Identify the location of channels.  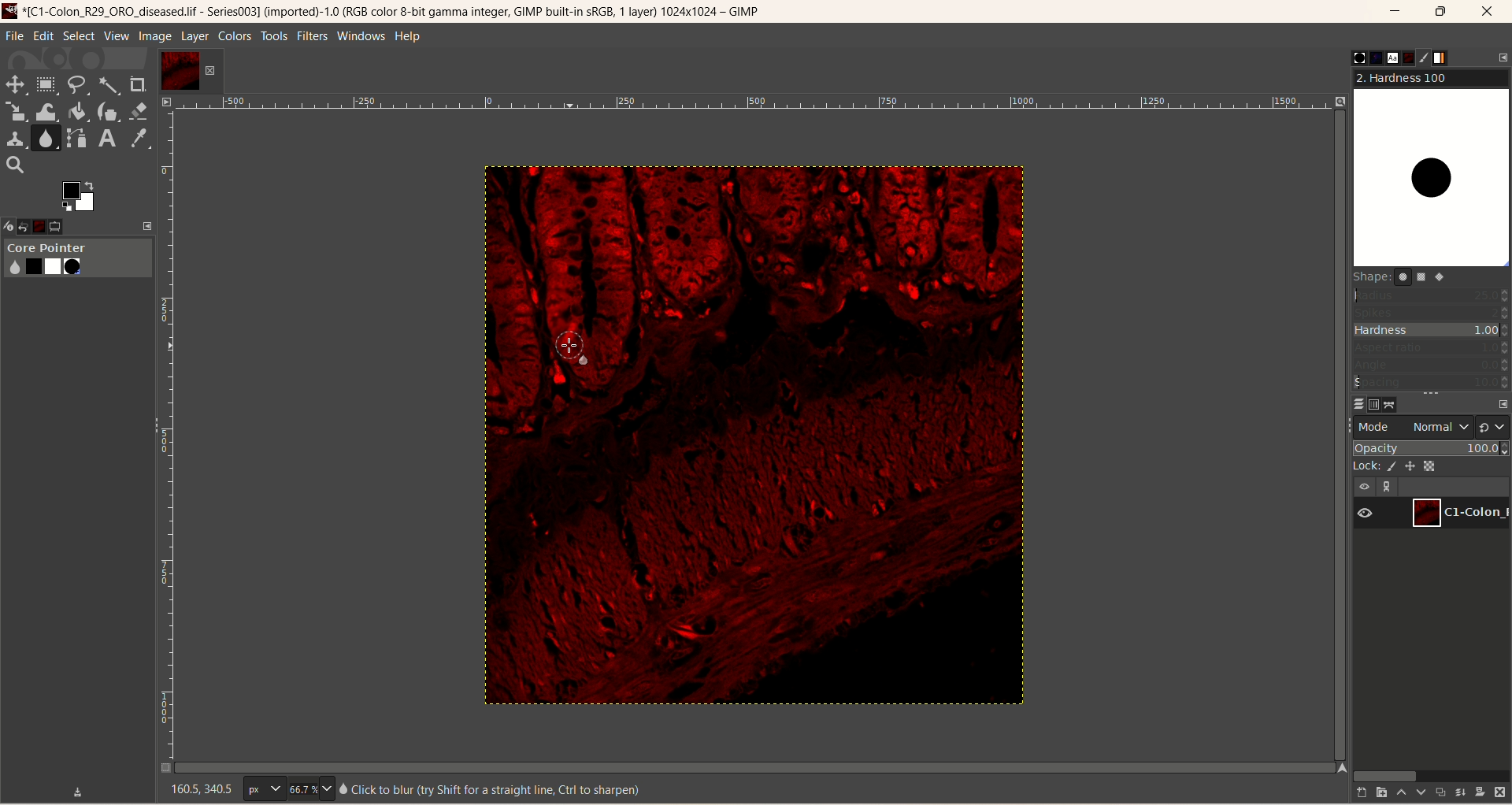
(1372, 403).